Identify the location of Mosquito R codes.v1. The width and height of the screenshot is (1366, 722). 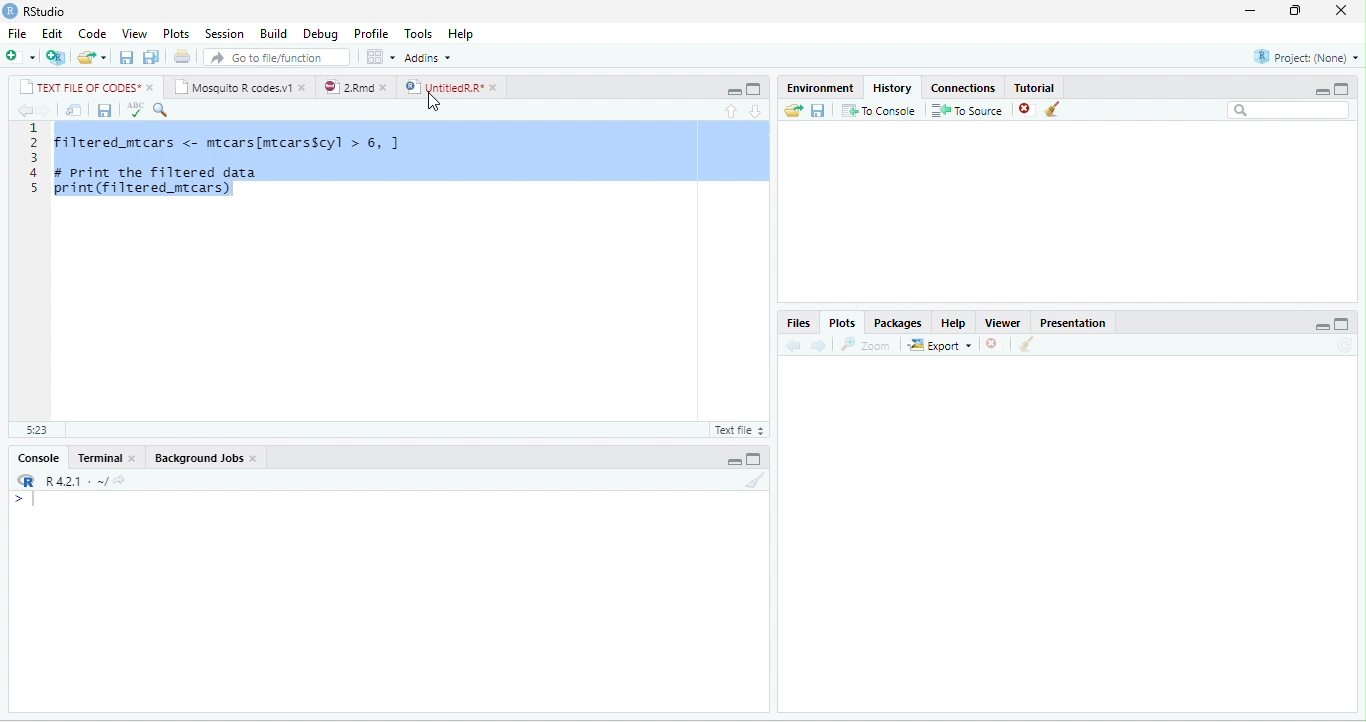
(233, 86).